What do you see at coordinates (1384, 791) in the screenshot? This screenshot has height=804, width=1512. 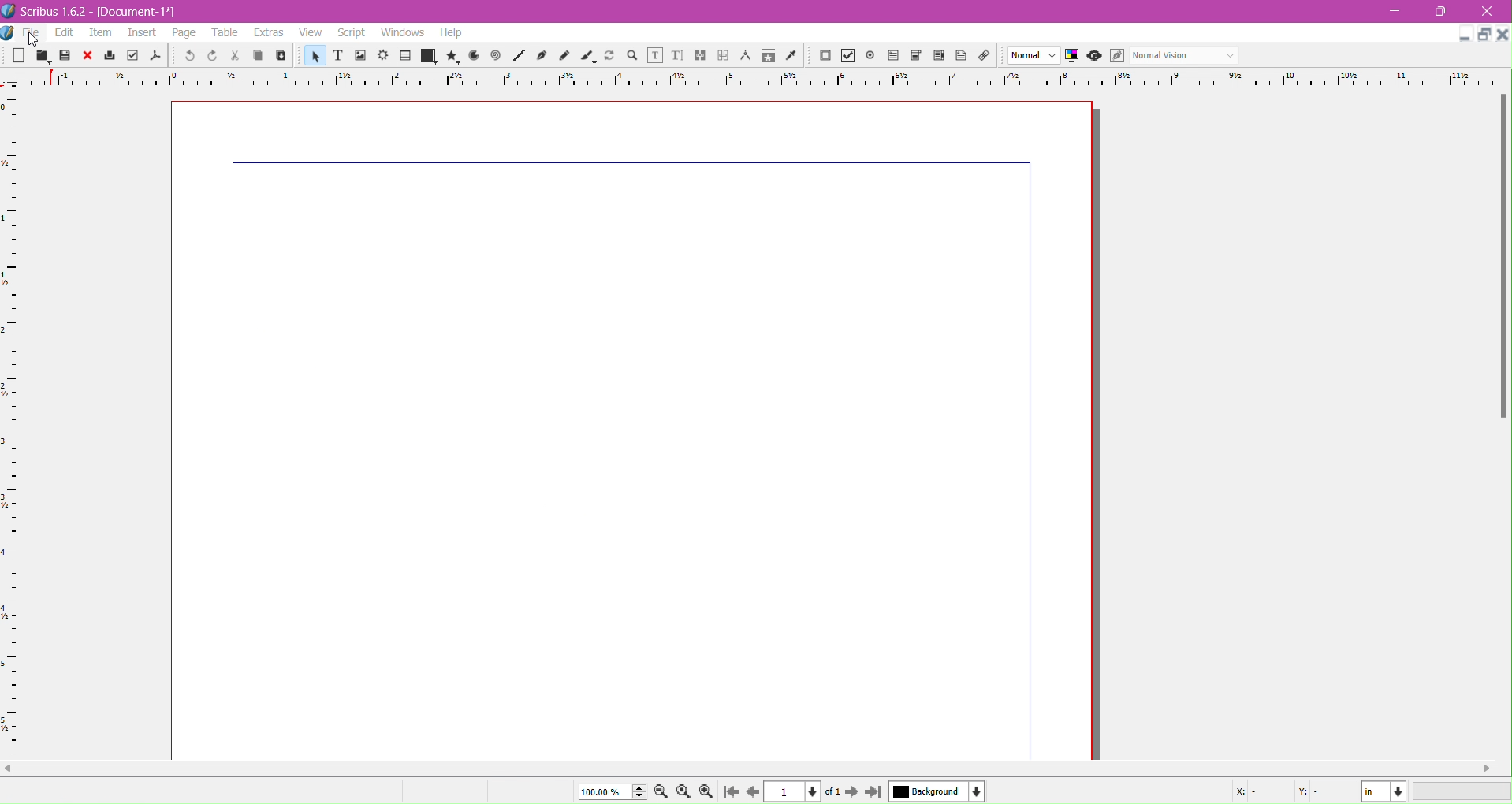 I see `measurement unit` at bounding box center [1384, 791].